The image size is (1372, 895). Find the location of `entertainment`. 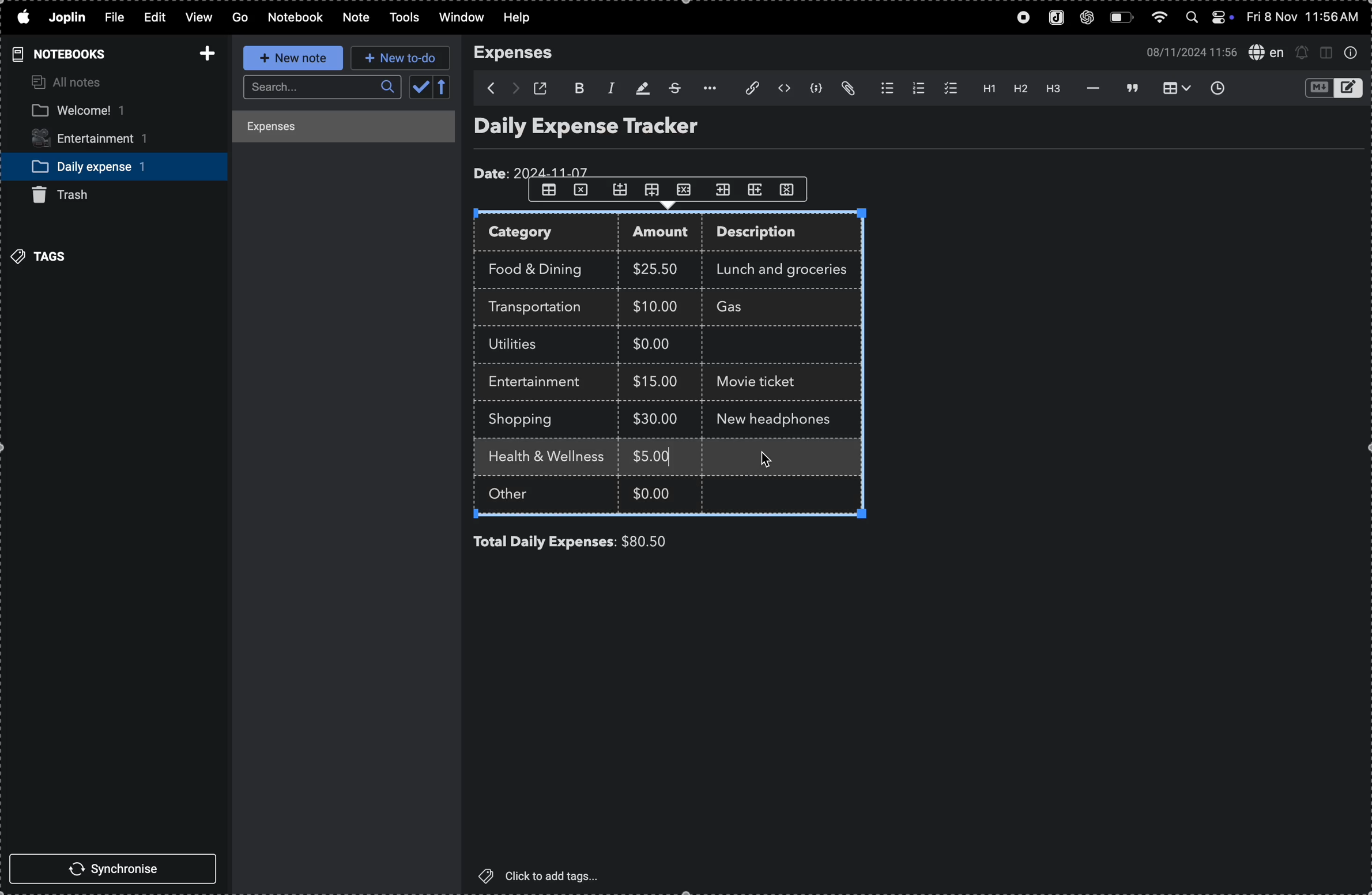

entertainment is located at coordinates (541, 382).